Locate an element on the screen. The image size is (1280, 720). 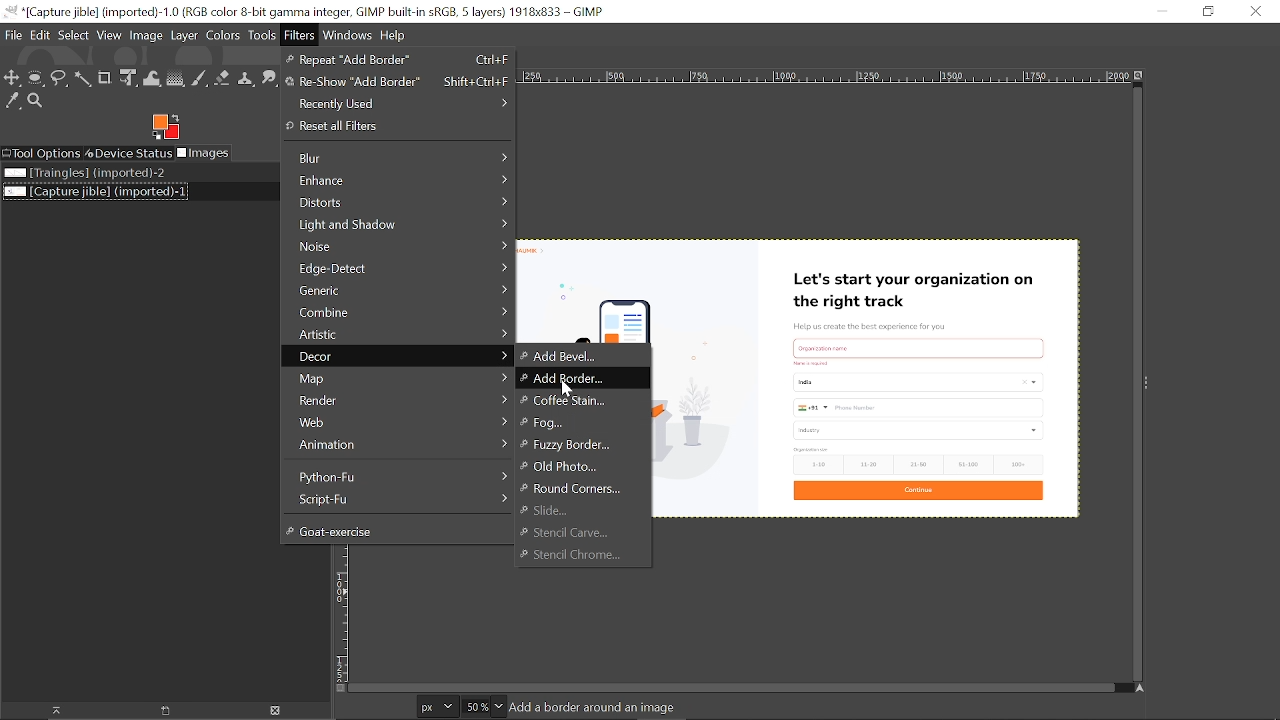
coffee stain is located at coordinates (568, 399).